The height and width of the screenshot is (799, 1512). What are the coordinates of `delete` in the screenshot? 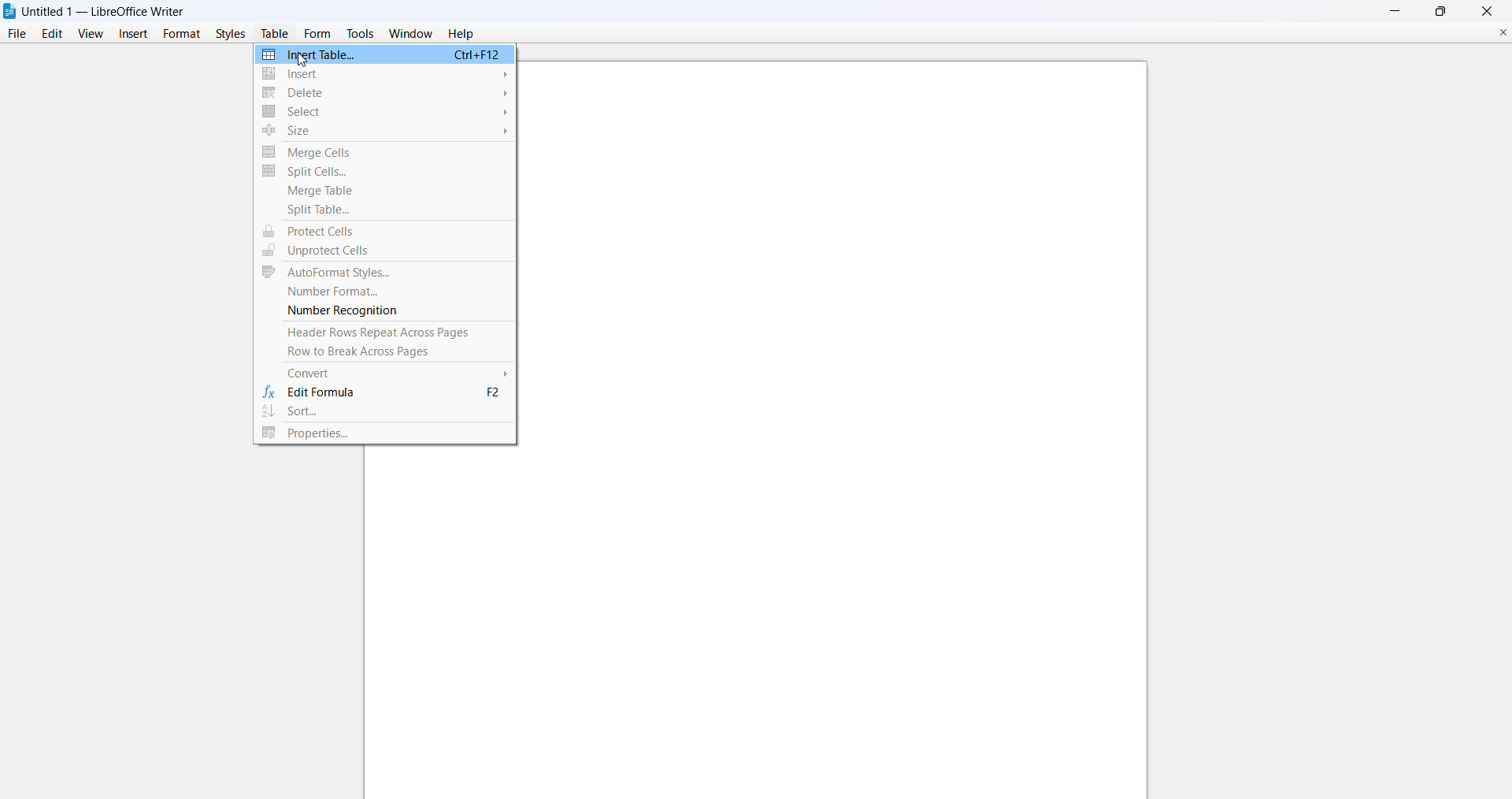 It's located at (385, 92).